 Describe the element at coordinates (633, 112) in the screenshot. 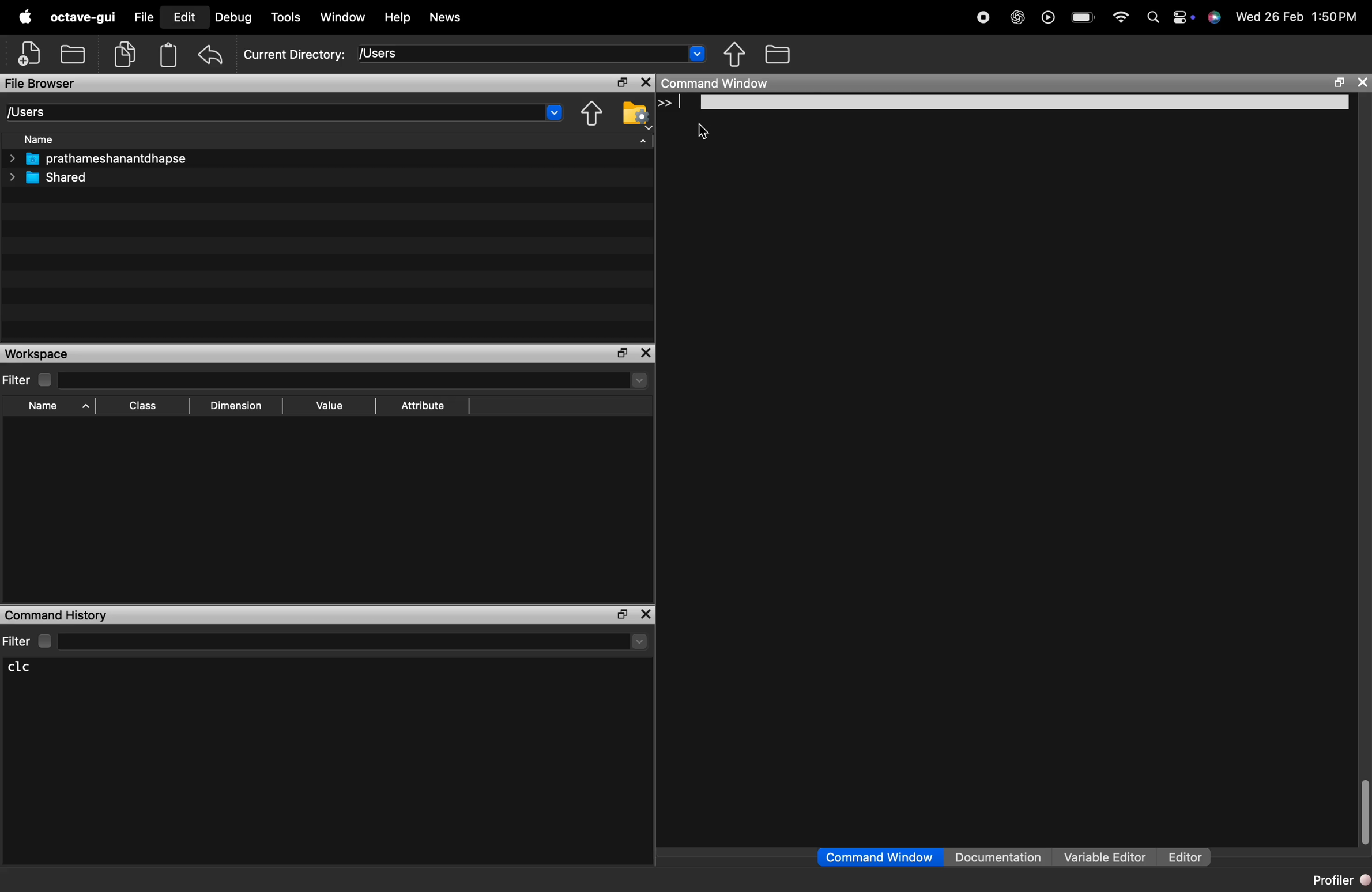

I see `directory settings` at that location.